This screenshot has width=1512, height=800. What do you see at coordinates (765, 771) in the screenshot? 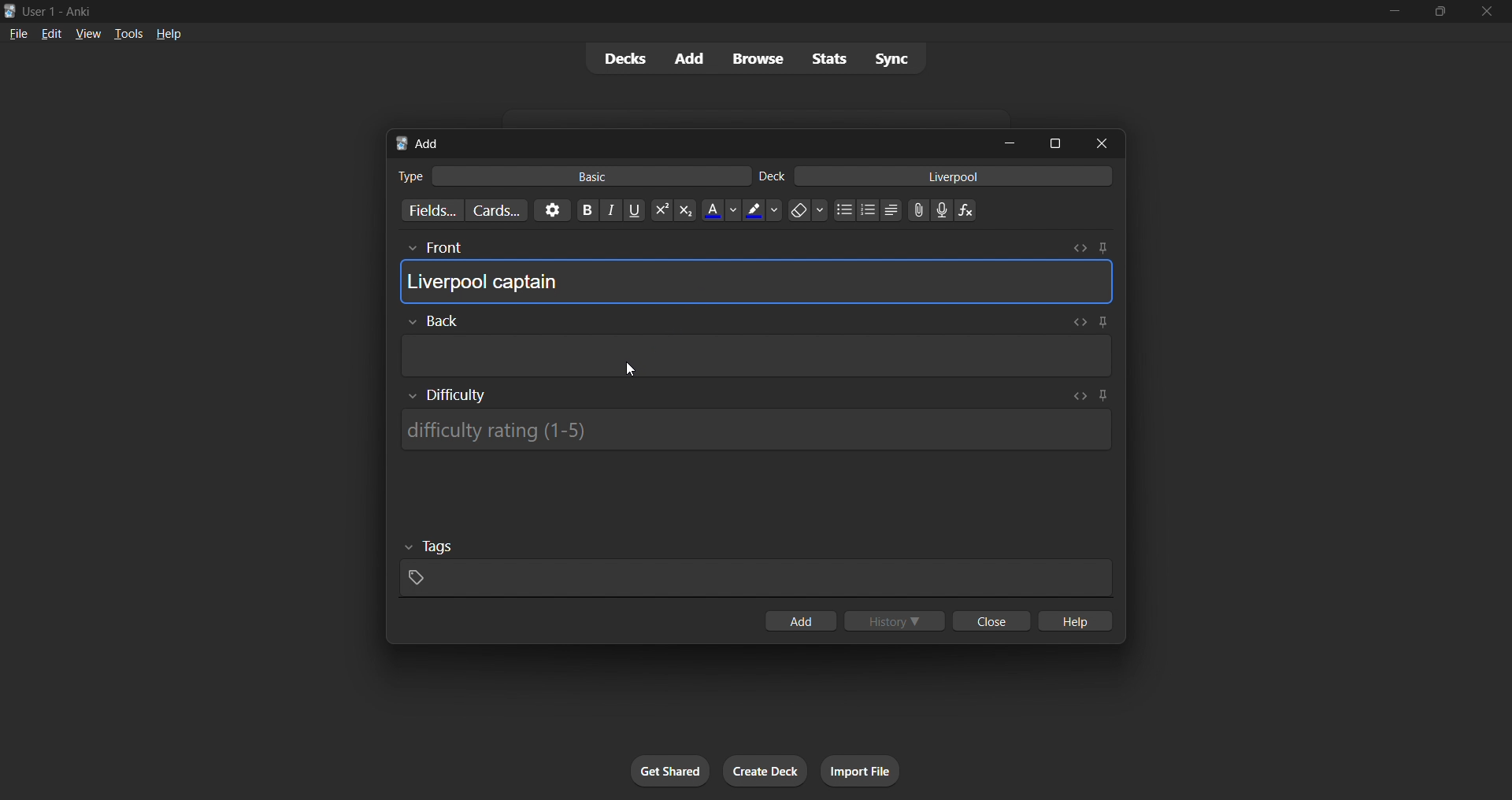
I see `create deck` at bounding box center [765, 771].